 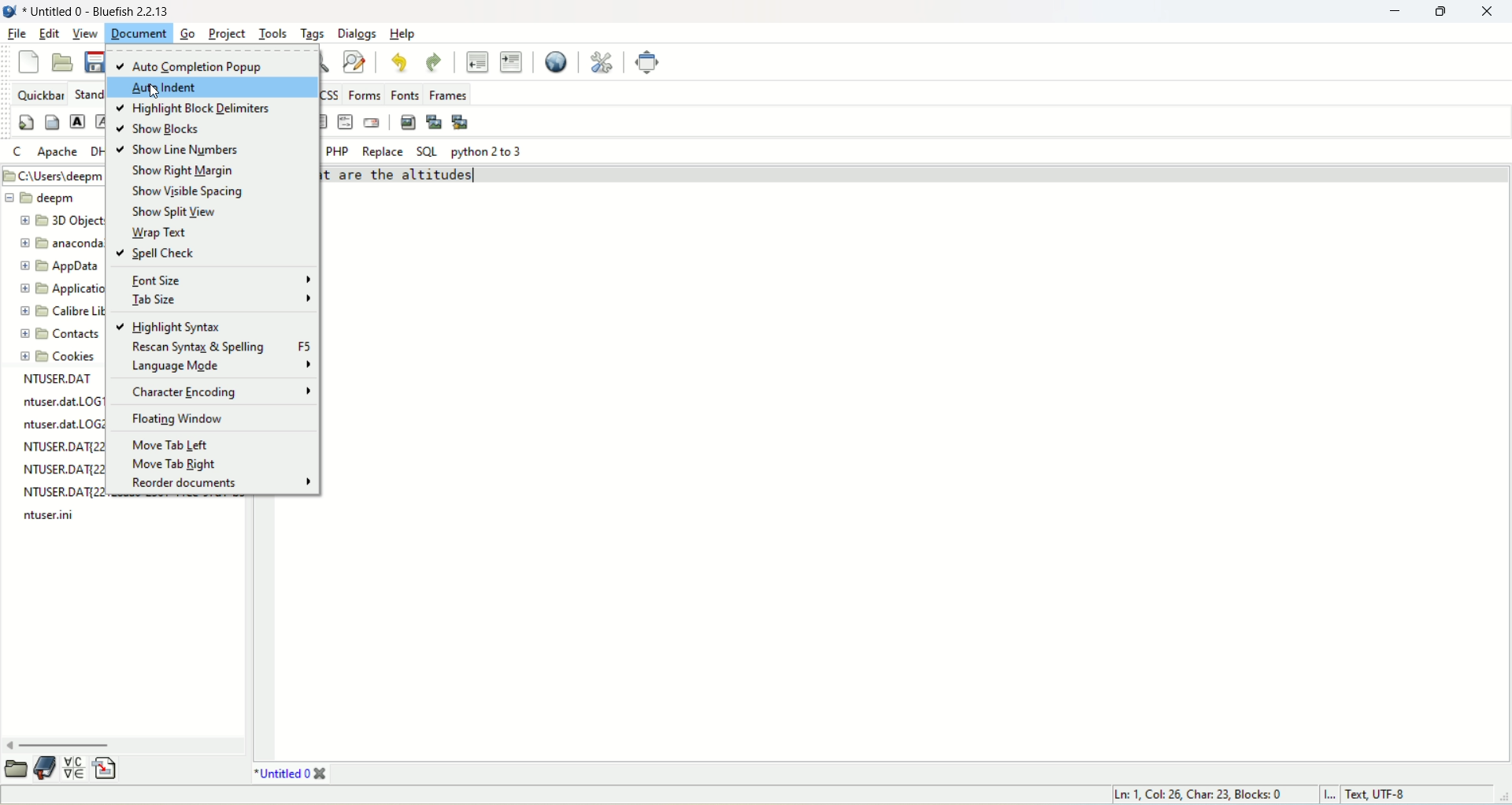 What do you see at coordinates (314, 34) in the screenshot?
I see `tags` at bounding box center [314, 34].